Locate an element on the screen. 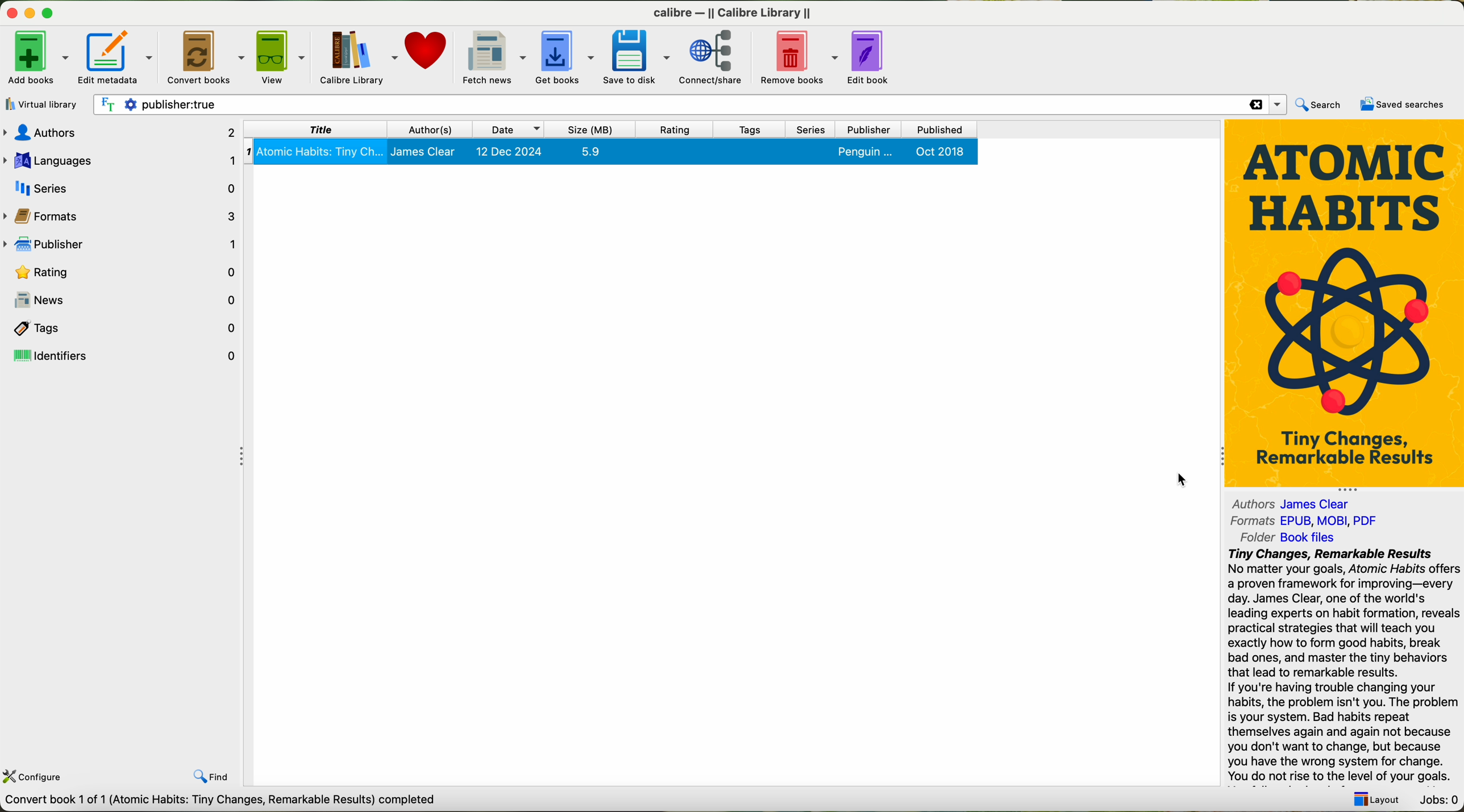 The height and width of the screenshot is (812, 1464). configure is located at coordinates (34, 777).